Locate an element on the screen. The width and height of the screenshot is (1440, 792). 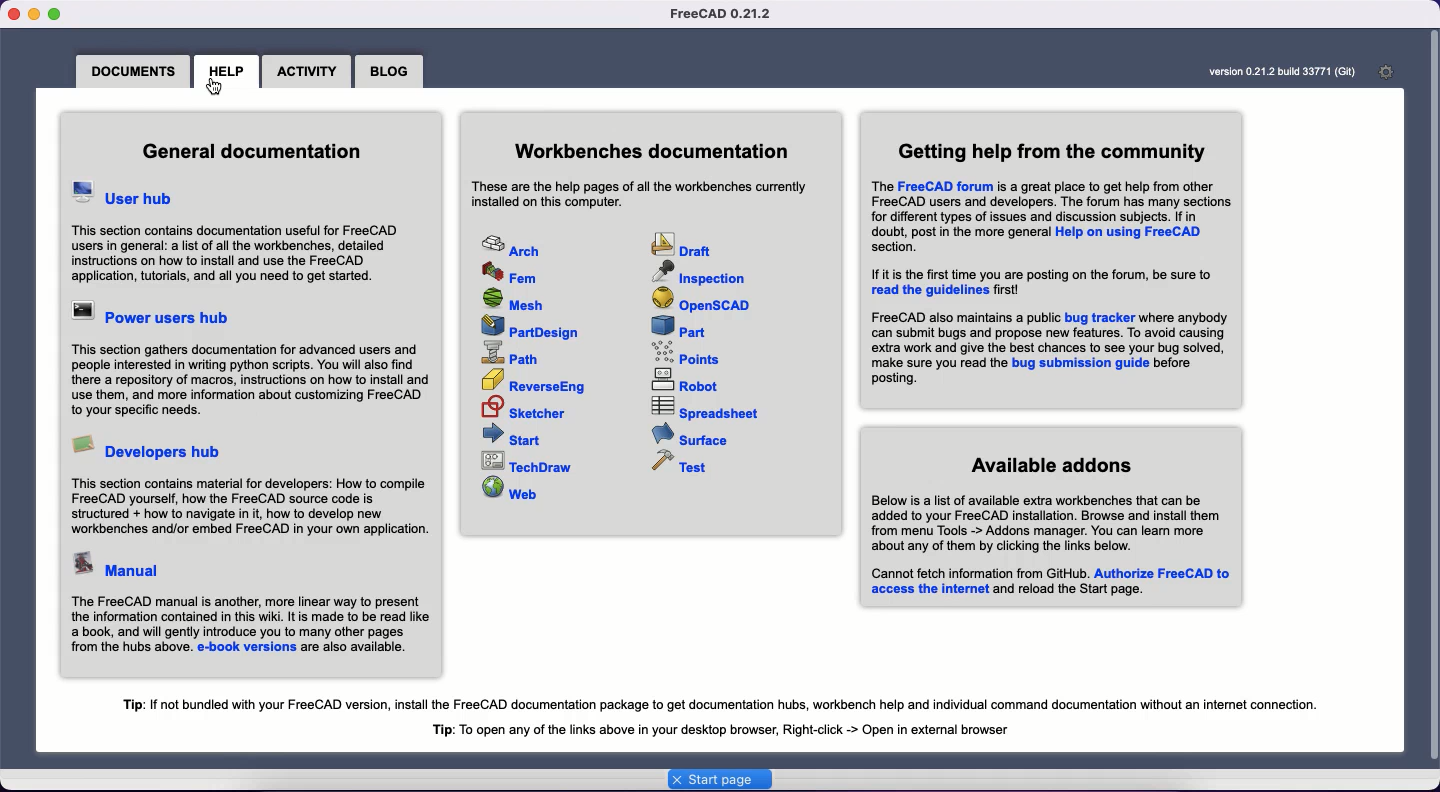
Getting help from the community is located at coordinates (1050, 264).